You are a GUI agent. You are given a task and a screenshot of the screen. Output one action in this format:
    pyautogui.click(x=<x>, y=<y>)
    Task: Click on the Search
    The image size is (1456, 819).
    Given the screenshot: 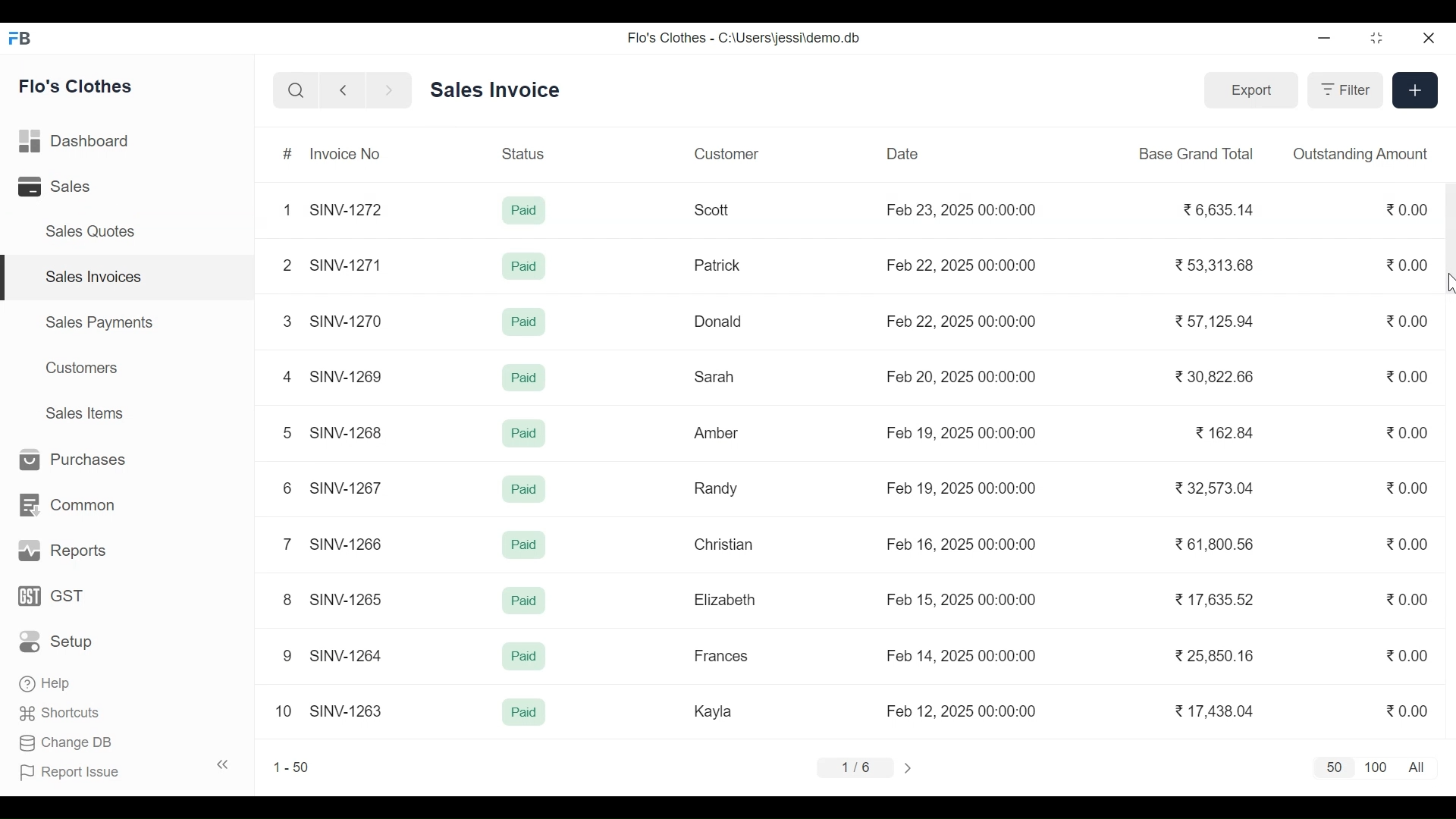 What is the action you would take?
    pyautogui.click(x=296, y=91)
    